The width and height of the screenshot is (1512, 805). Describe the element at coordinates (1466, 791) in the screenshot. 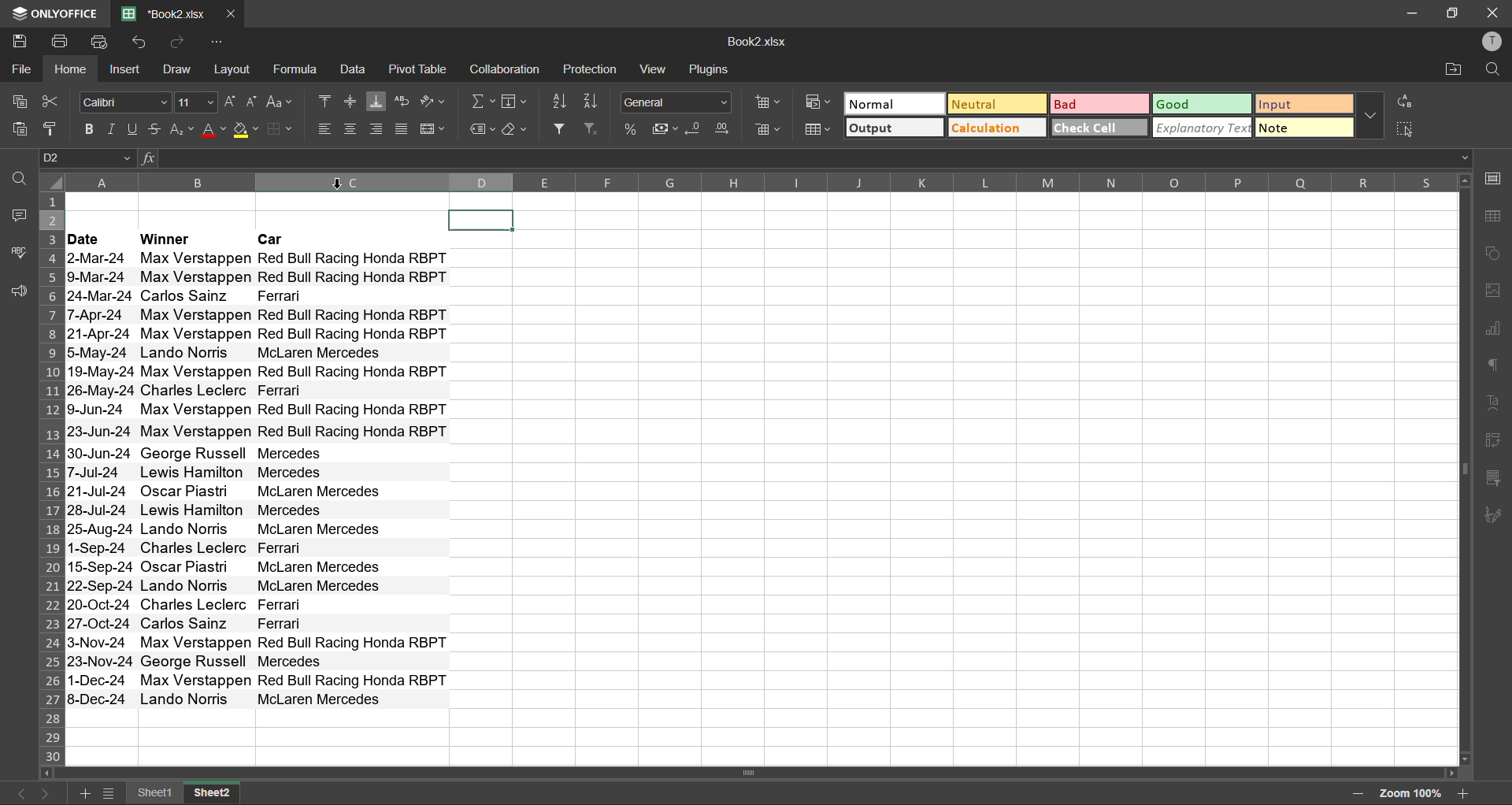

I see `zoom in` at that location.